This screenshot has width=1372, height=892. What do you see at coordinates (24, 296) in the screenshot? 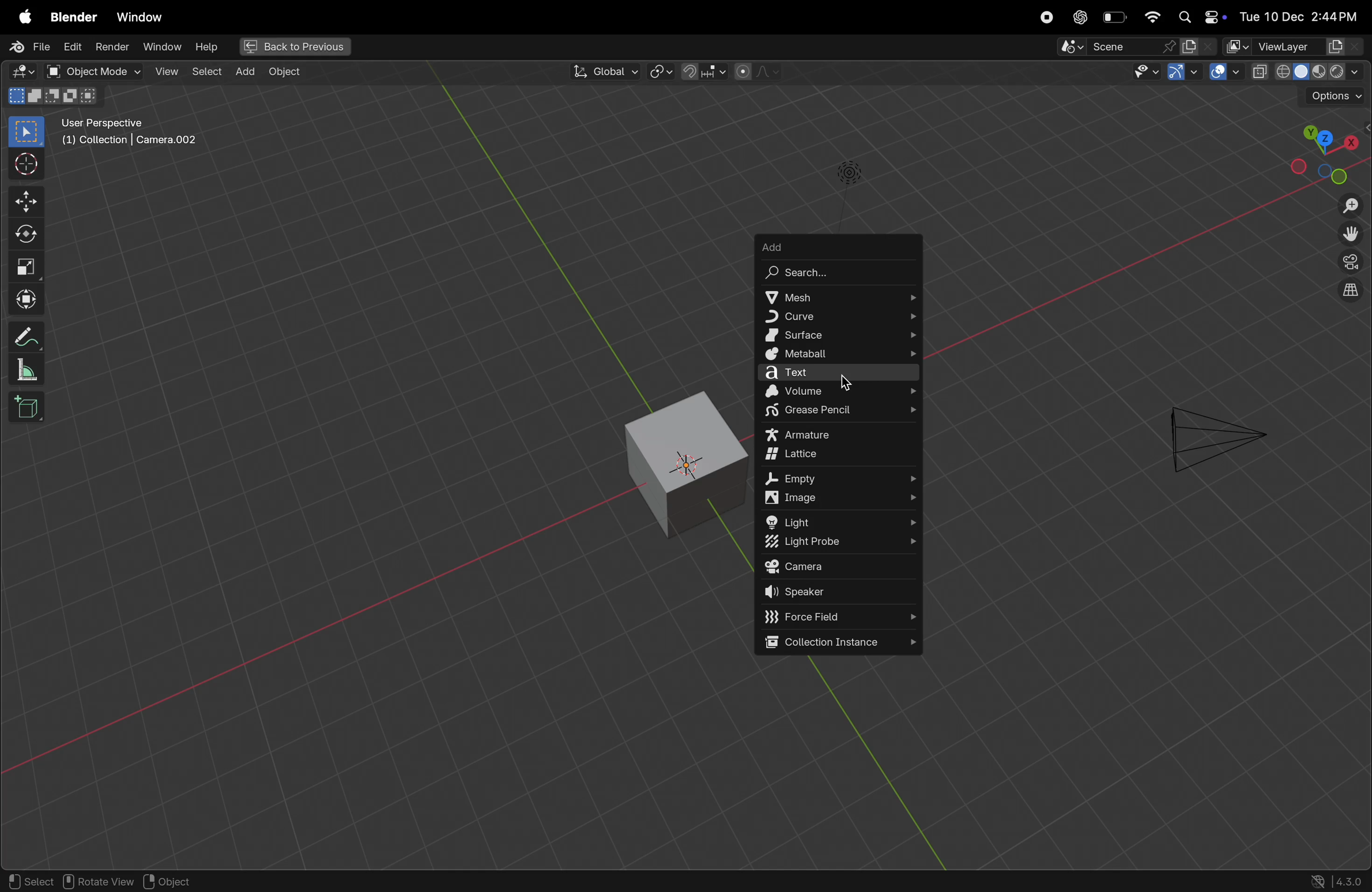
I see `move` at bounding box center [24, 296].